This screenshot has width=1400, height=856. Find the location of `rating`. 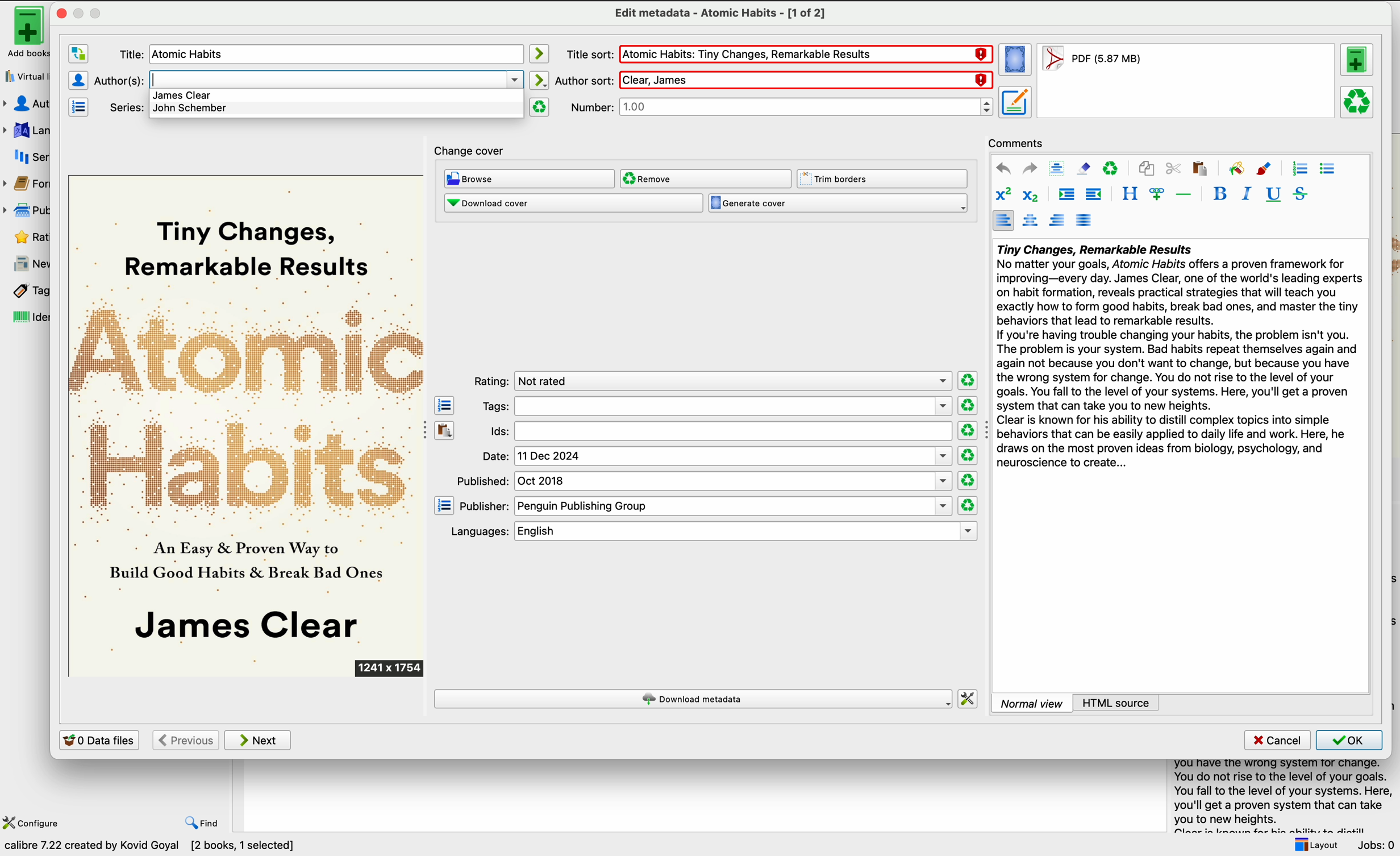

rating is located at coordinates (711, 380).